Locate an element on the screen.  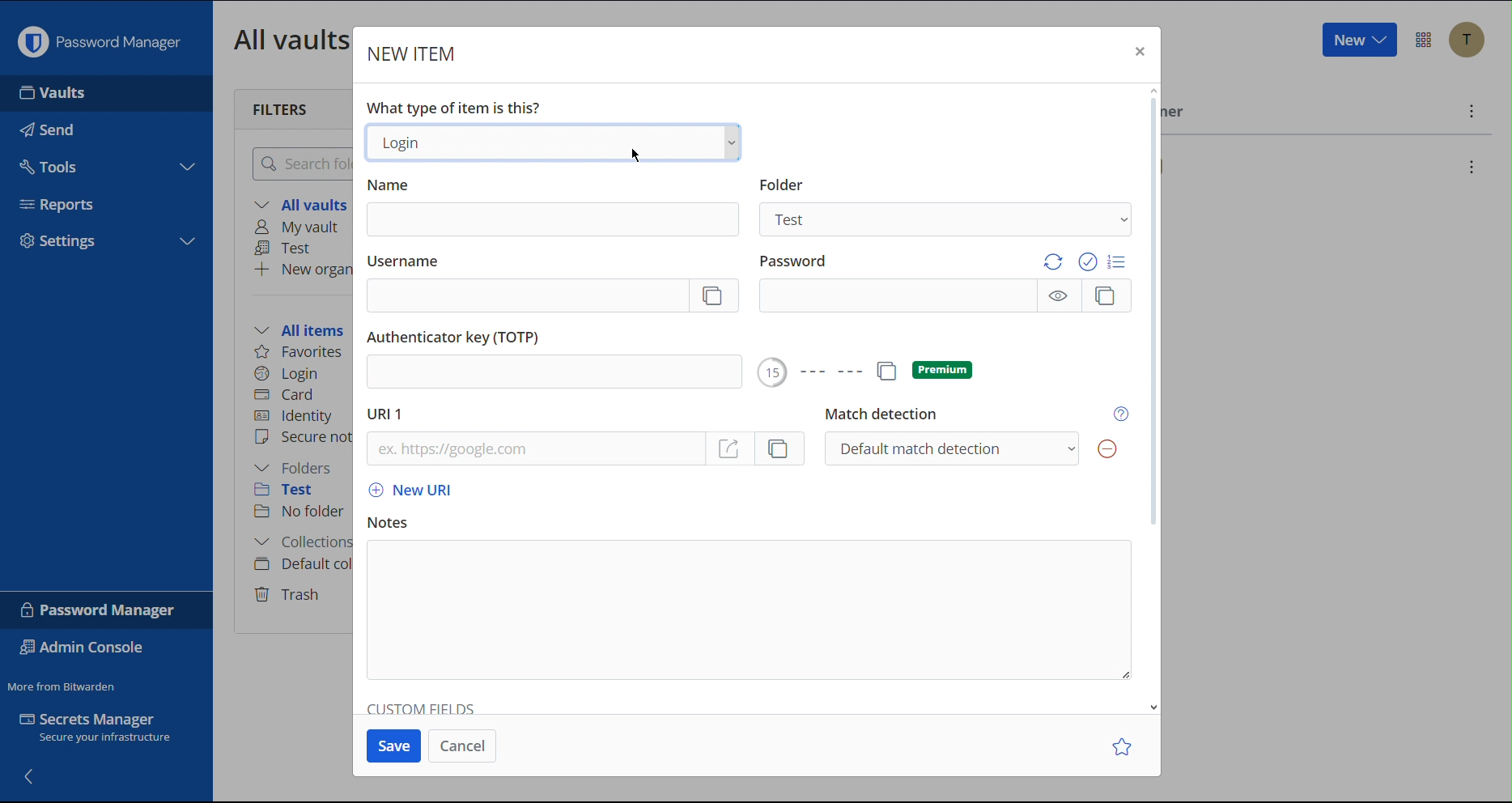
go to is located at coordinates (731, 448).